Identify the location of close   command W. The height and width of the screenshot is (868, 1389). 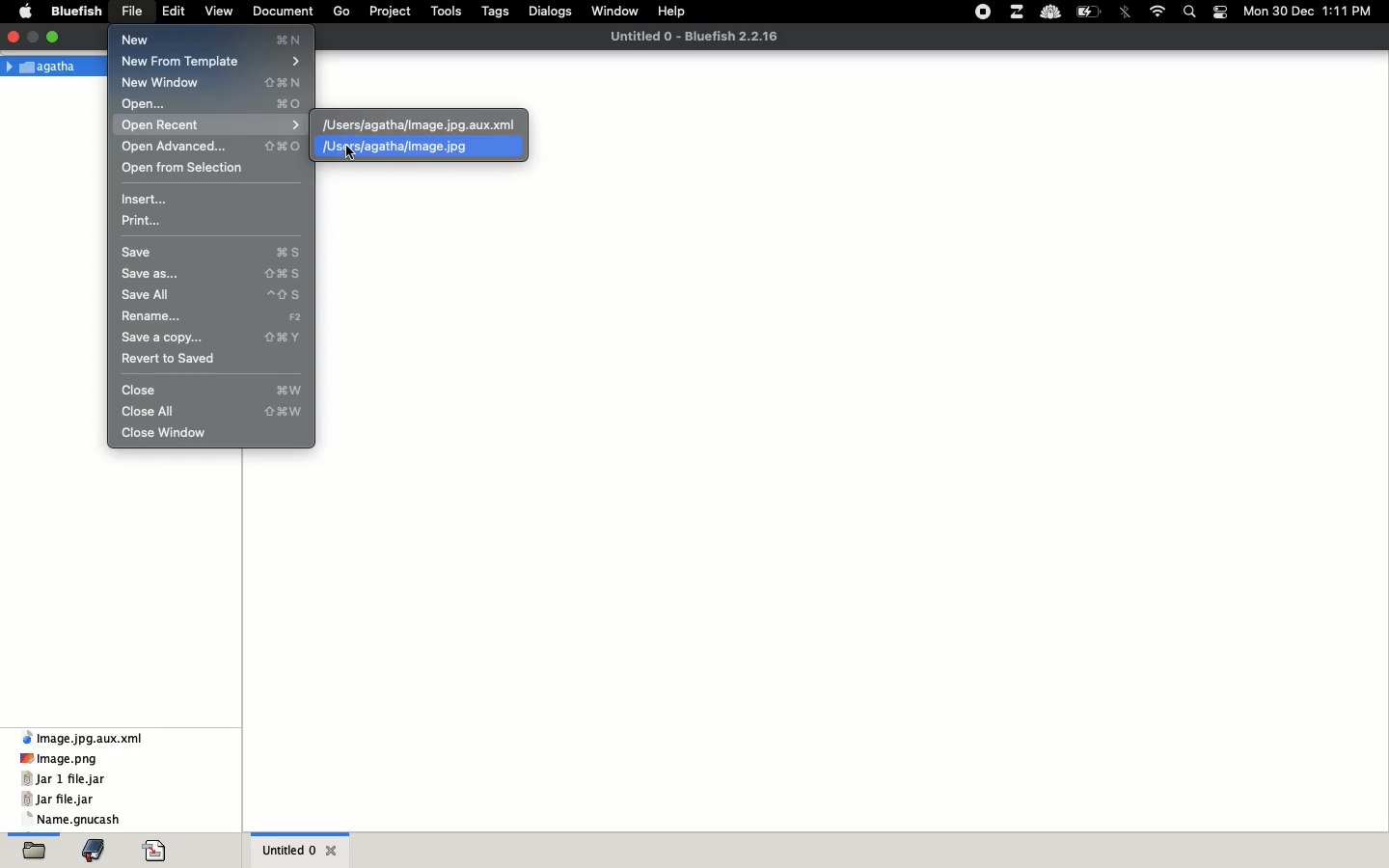
(217, 391).